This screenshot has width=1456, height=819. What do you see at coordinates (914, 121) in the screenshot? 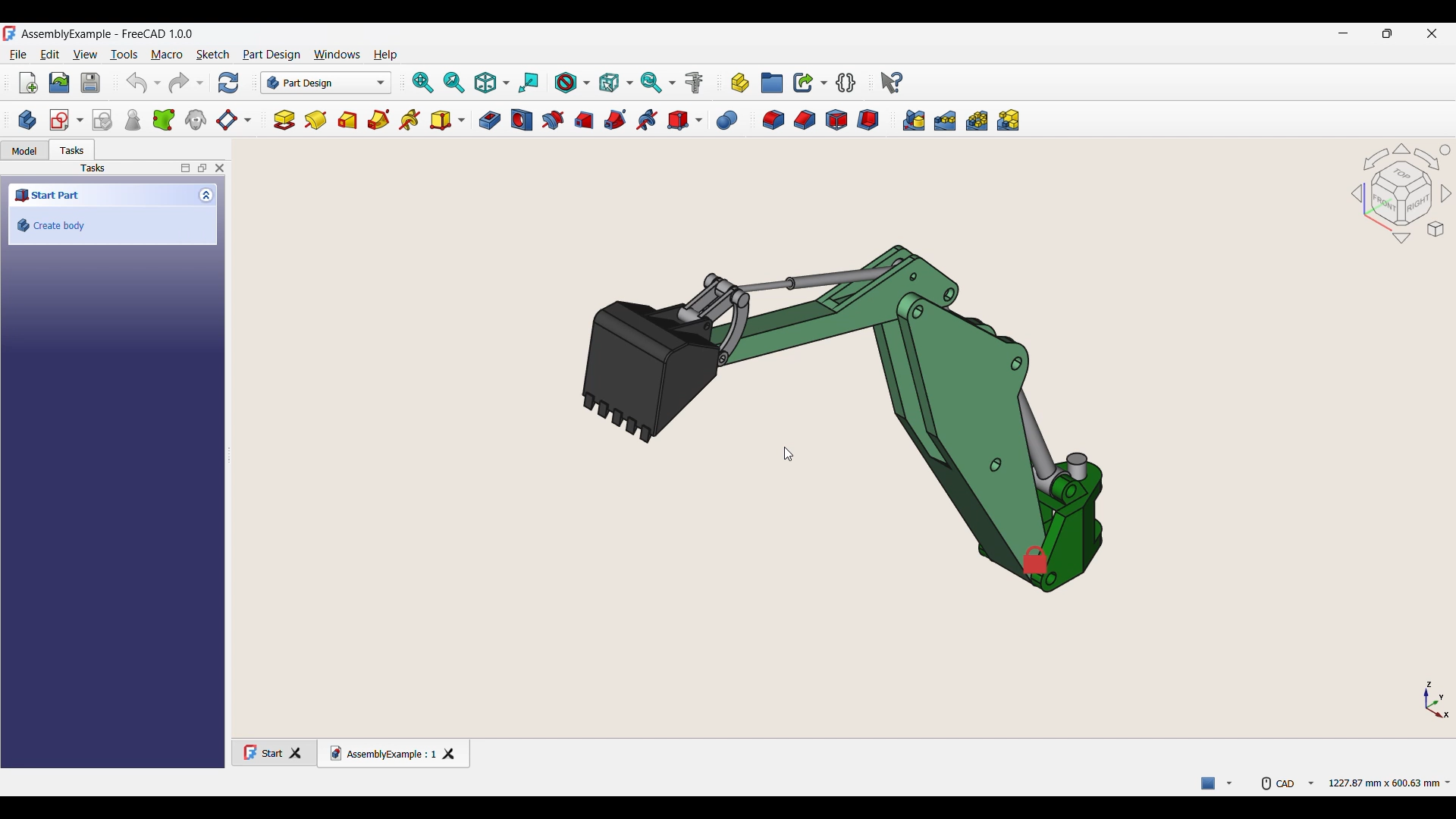
I see `Mirrored` at bounding box center [914, 121].